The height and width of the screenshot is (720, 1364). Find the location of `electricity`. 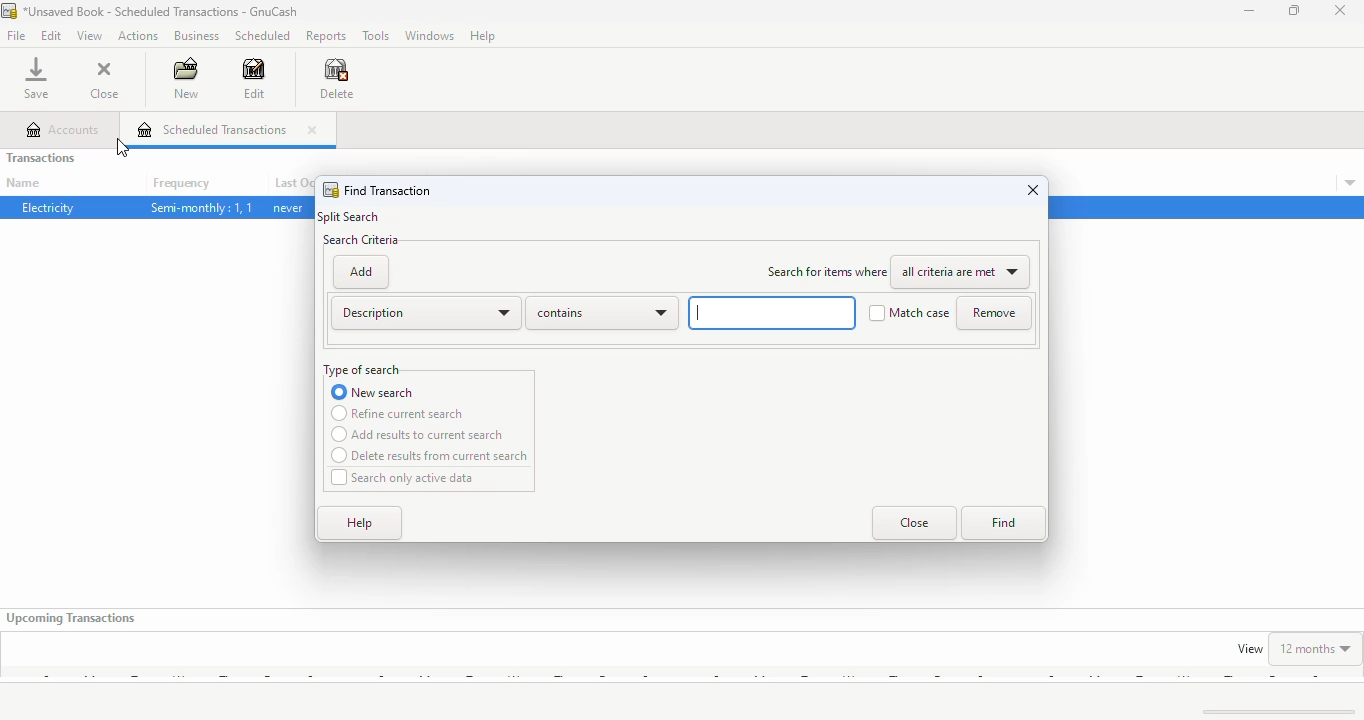

electricity is located at coordinates (49, 207).